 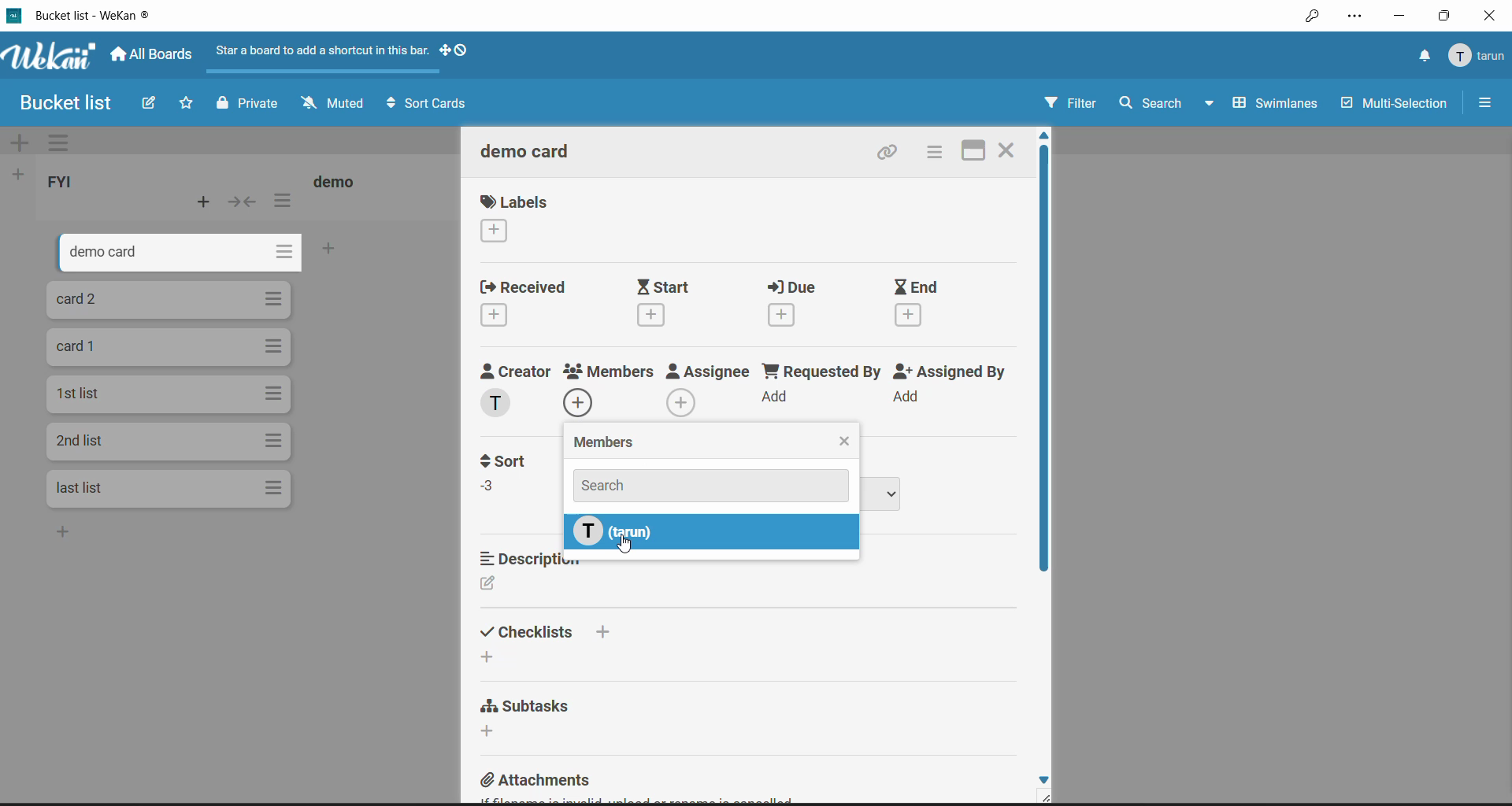 What do you see at coordinates (846, 442) in the screenshot?
I see `close` at bounding box center [846, 442].